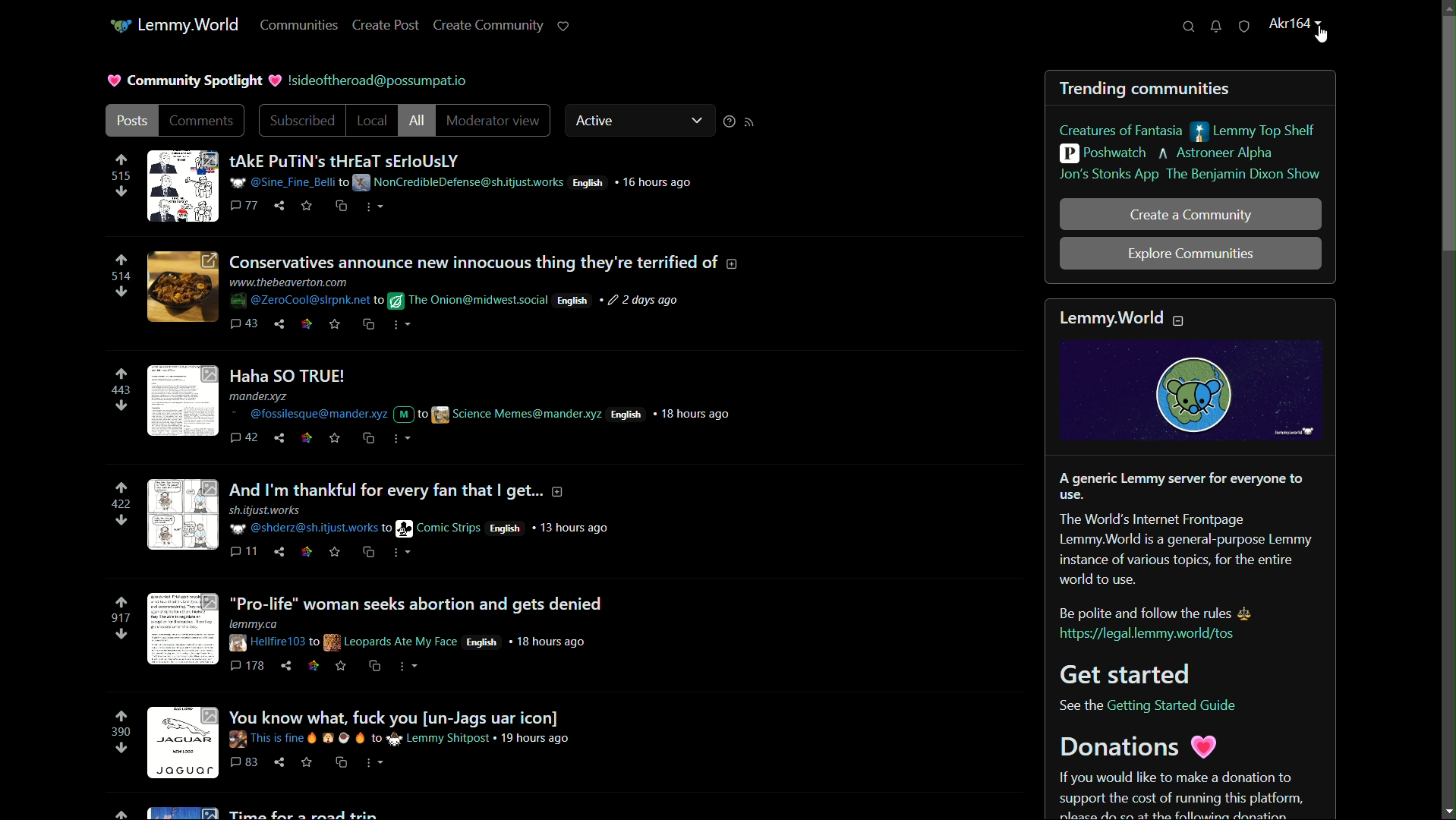 Image resolution: width=1456 pixels, height=820 pixels. I want to click on downvote, so click(121, 521).